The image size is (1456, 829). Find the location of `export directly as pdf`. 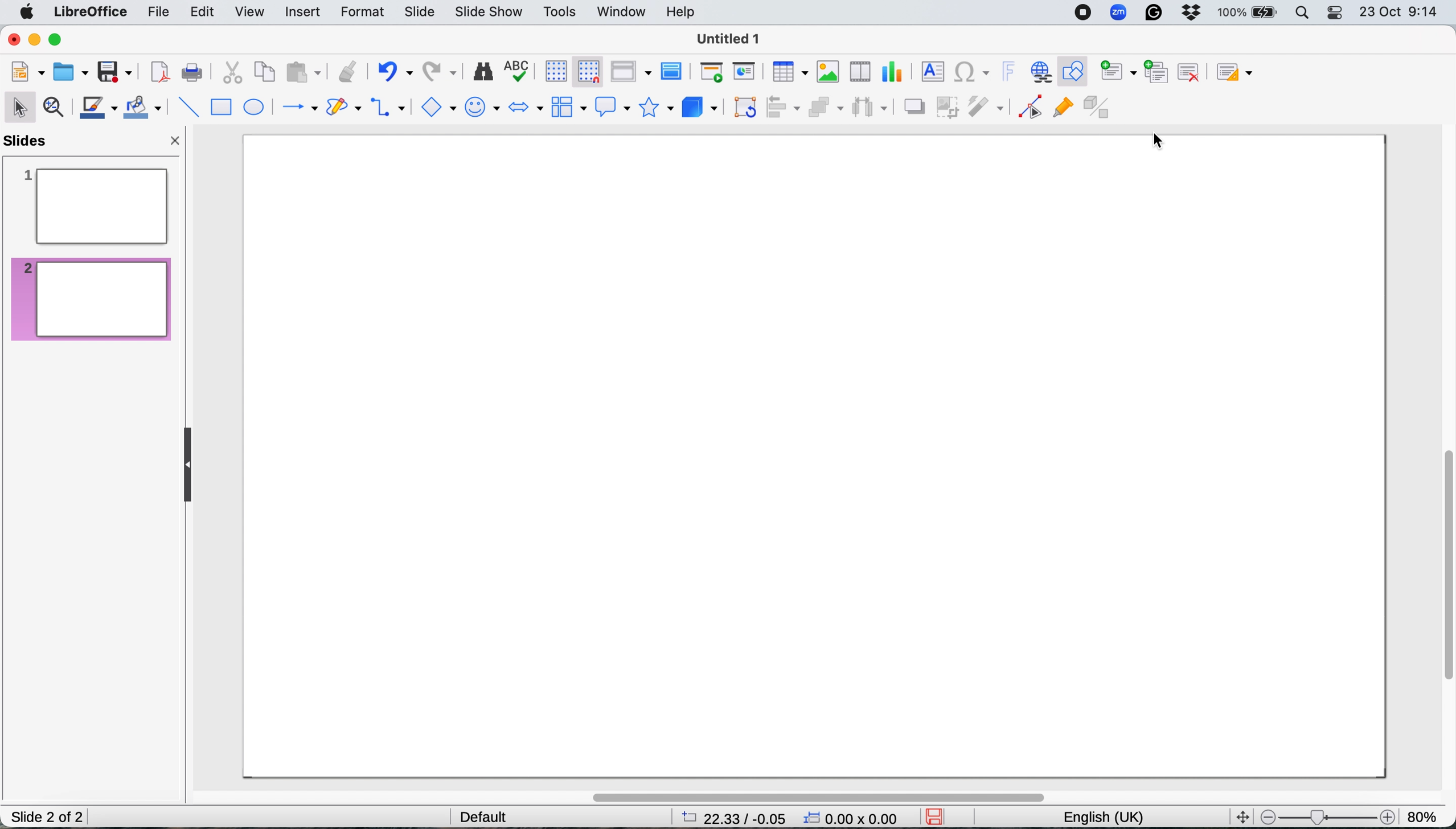

export directly as pdf is located at coordinates (161, 71).